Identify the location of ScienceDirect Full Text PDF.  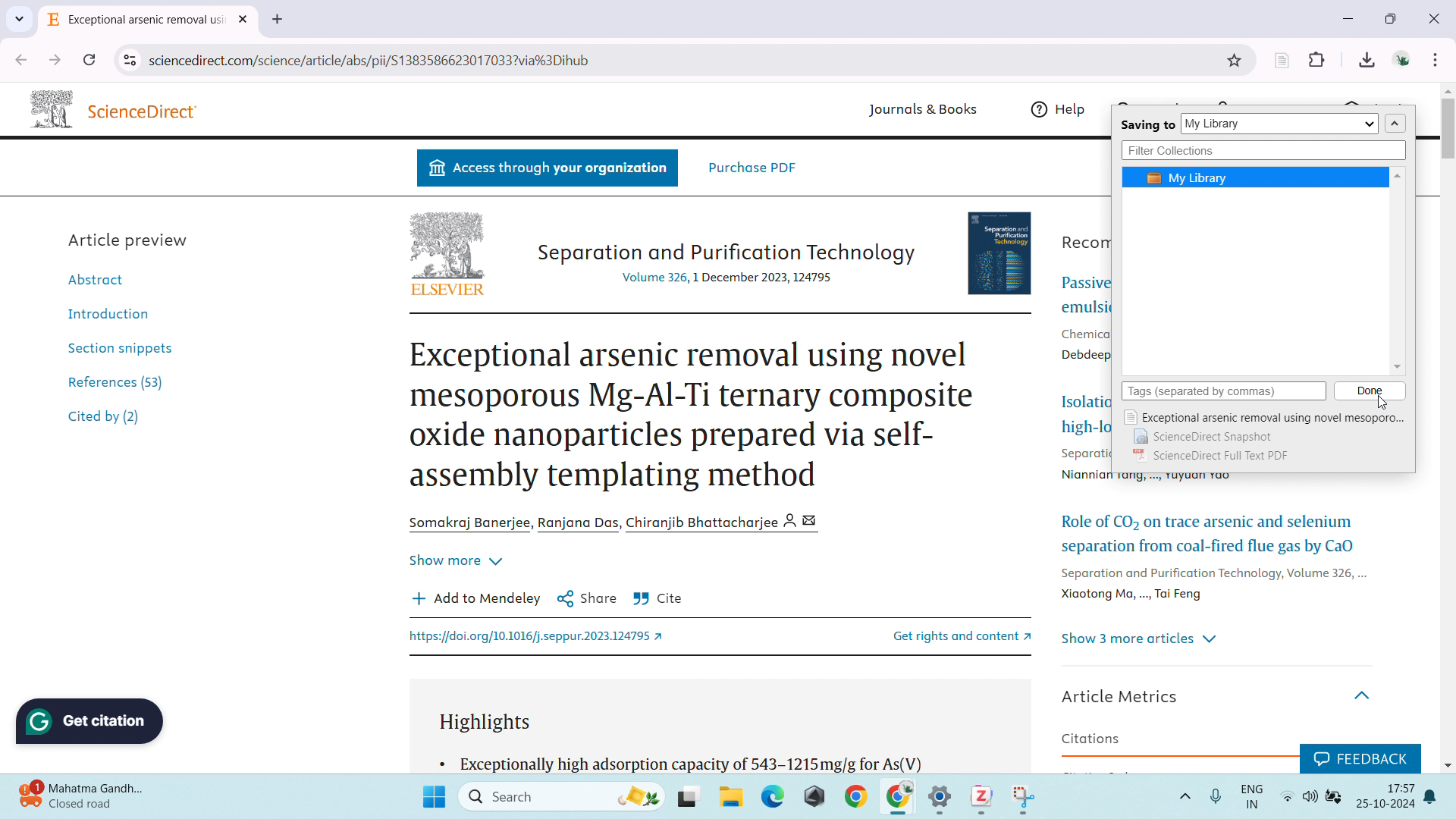
(1214, 457).